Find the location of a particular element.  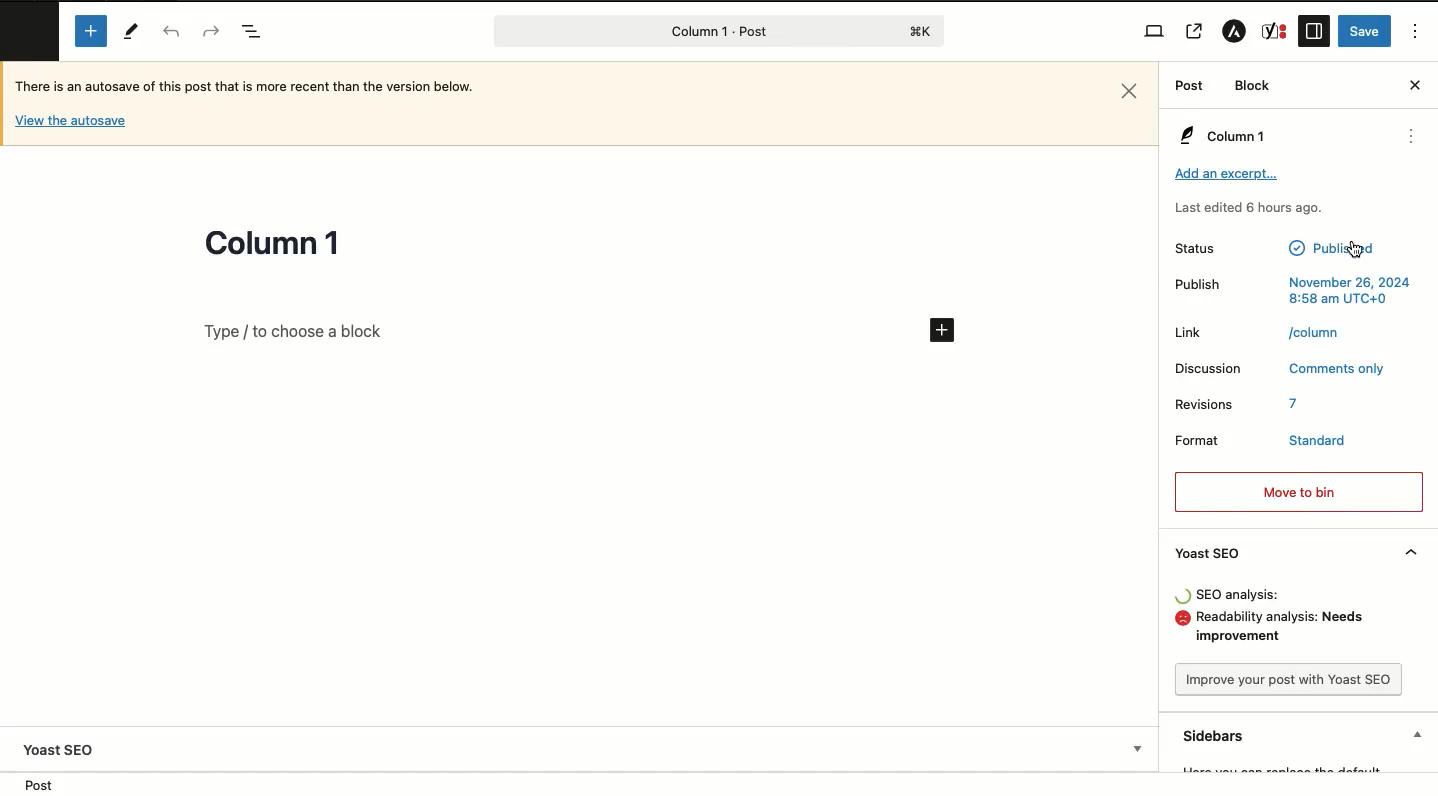

Save is located at coordinates (1367, 30).